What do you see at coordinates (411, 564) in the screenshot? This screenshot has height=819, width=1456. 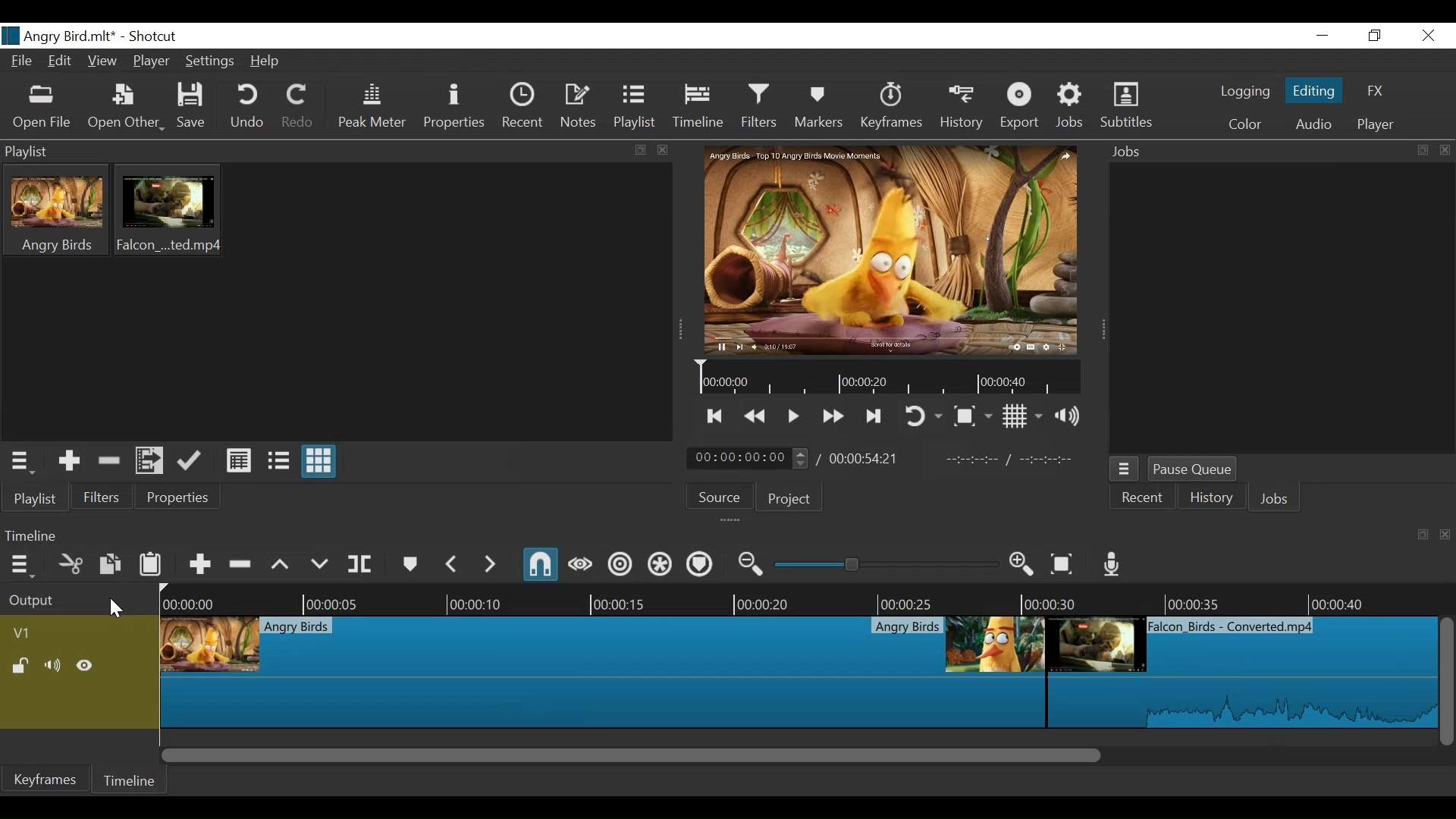 I see `Marker` at bounding box center [411, 564].